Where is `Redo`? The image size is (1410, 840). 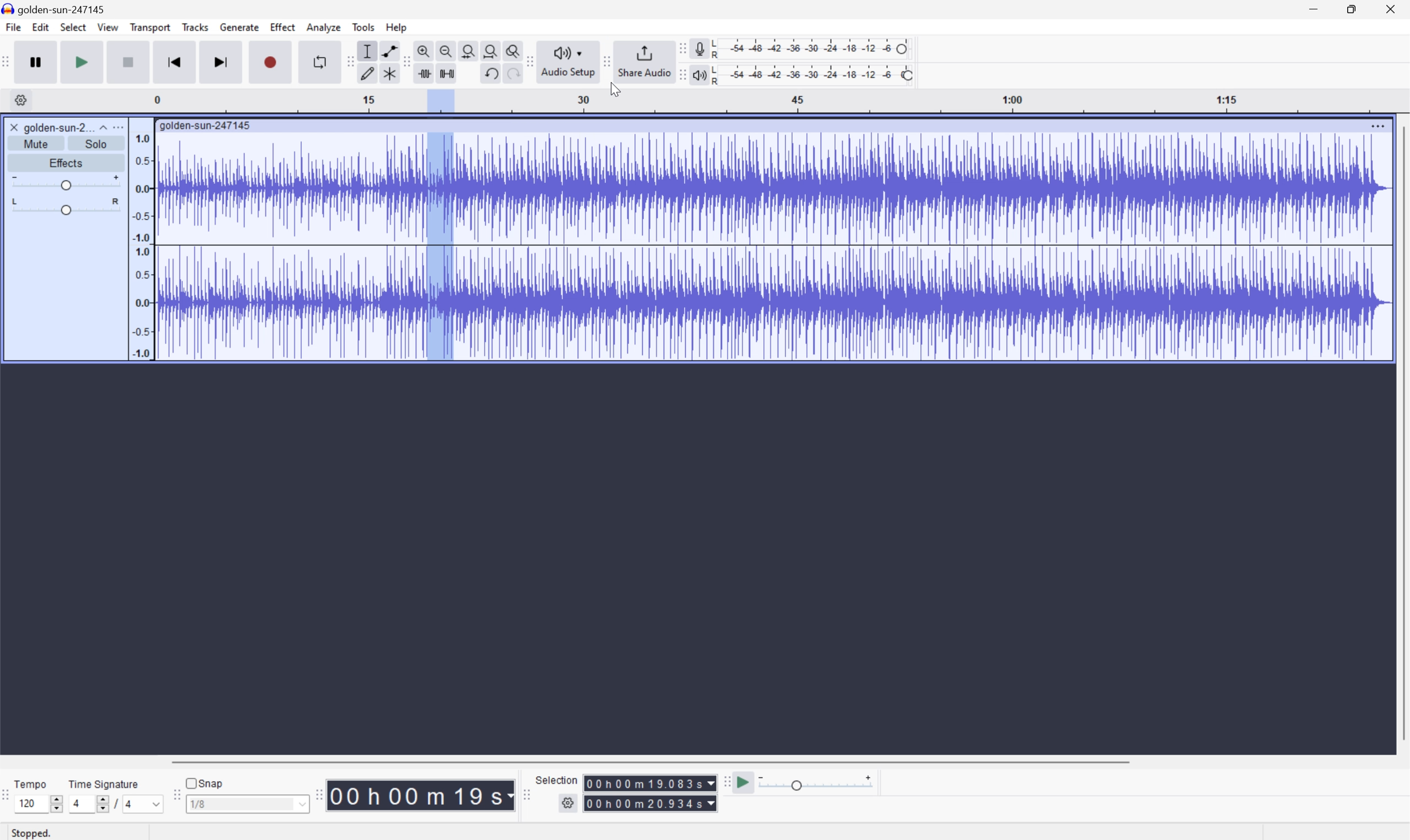
Redo is located at coordinates (511, 78).